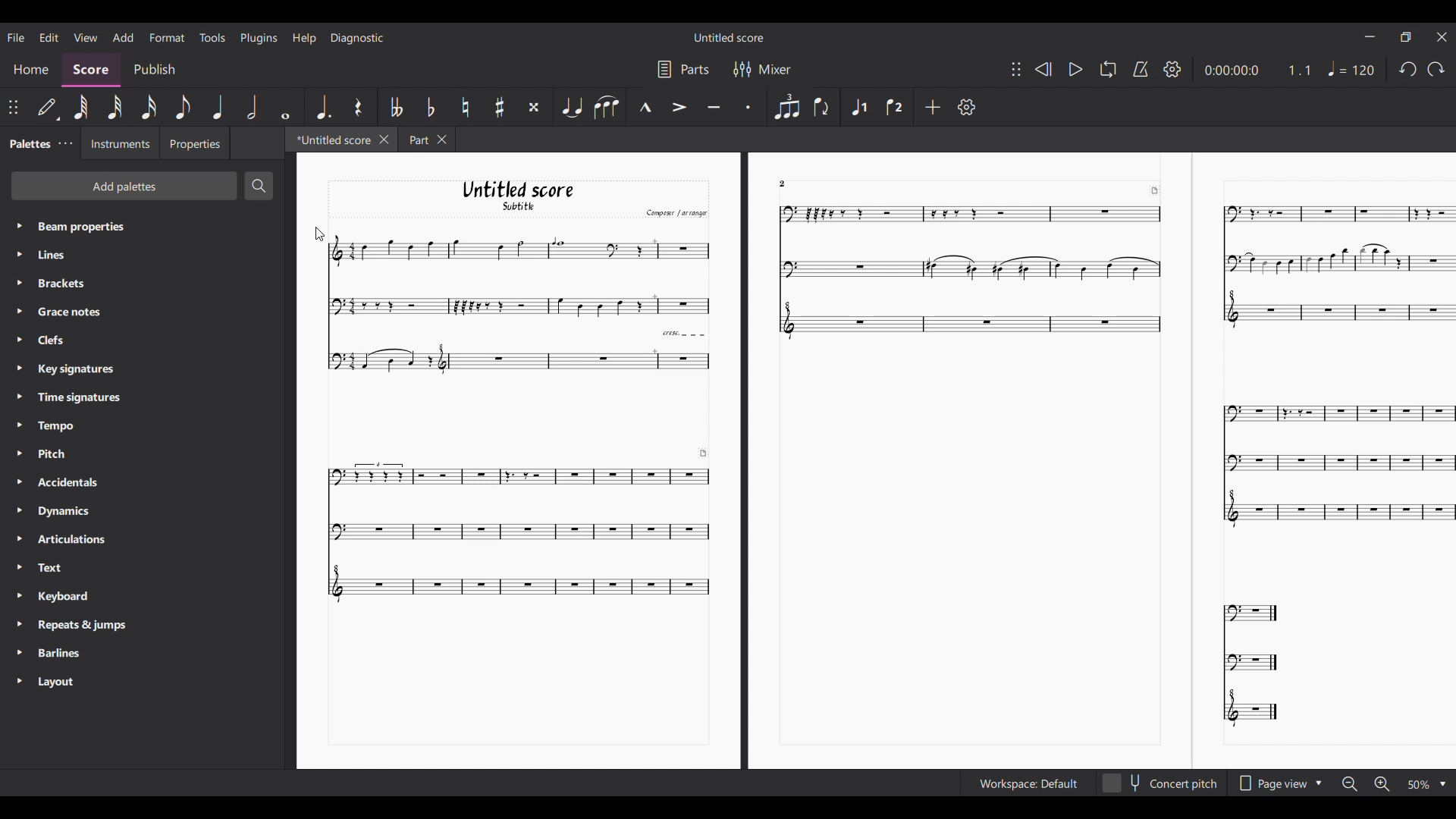  What do you see at coordinates (71, 311) in the screenshot?
I see `Grace notes` at bounding box center [71, 311].